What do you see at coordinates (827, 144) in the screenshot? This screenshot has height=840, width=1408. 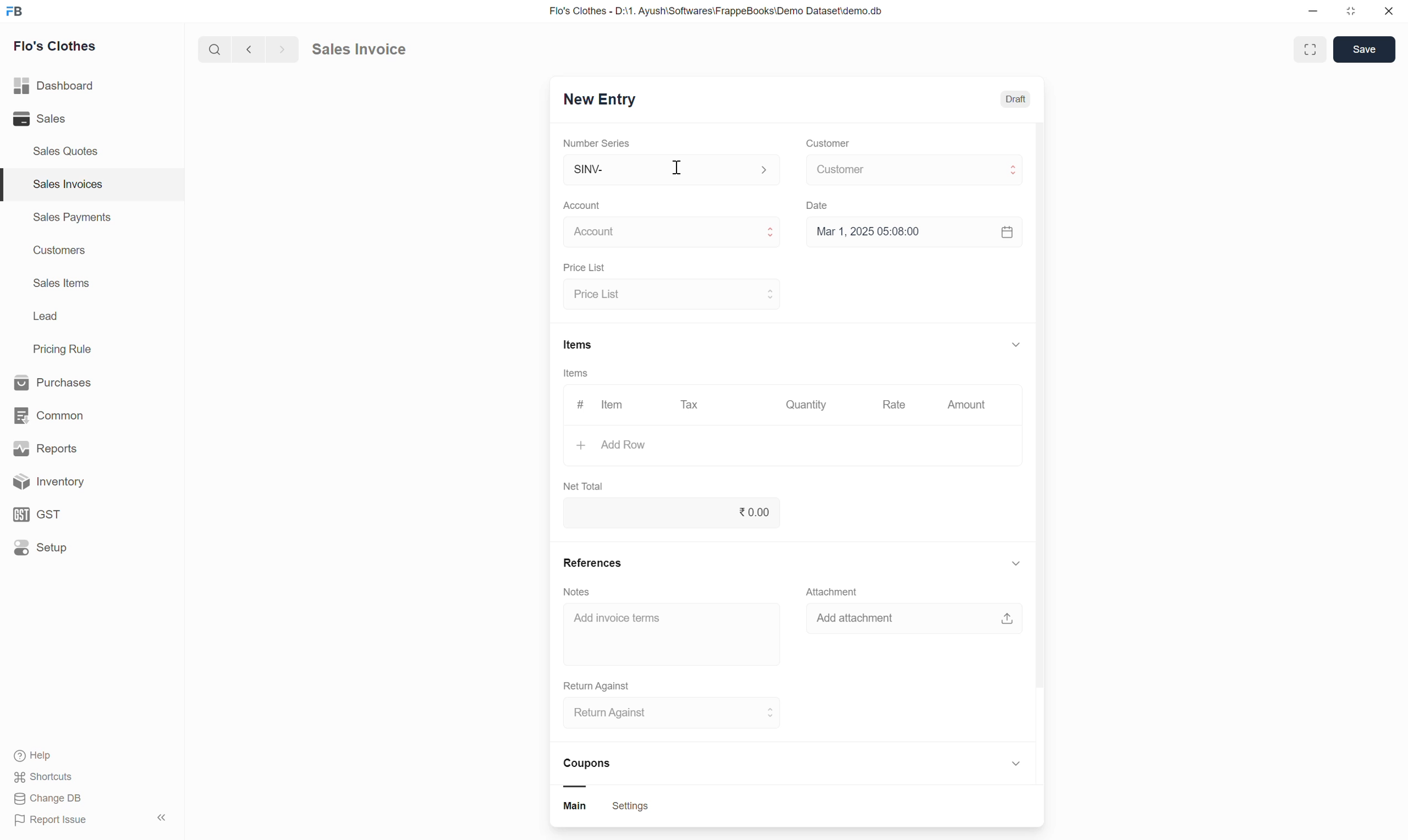 I see `Customer` at bounding box center [827, 144].